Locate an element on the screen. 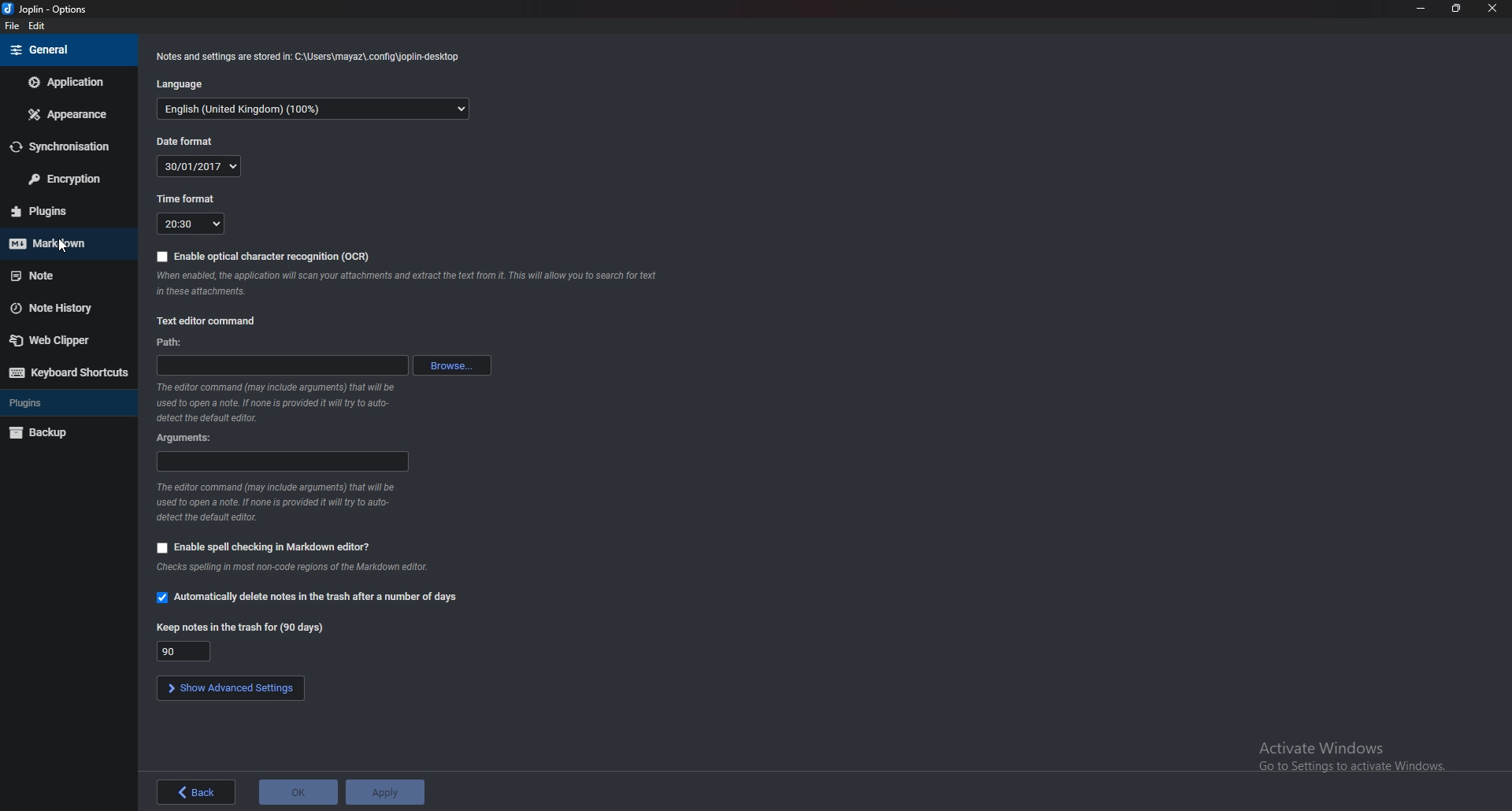 The image size is (1512, 811). language is located at coordinates (183, 83).